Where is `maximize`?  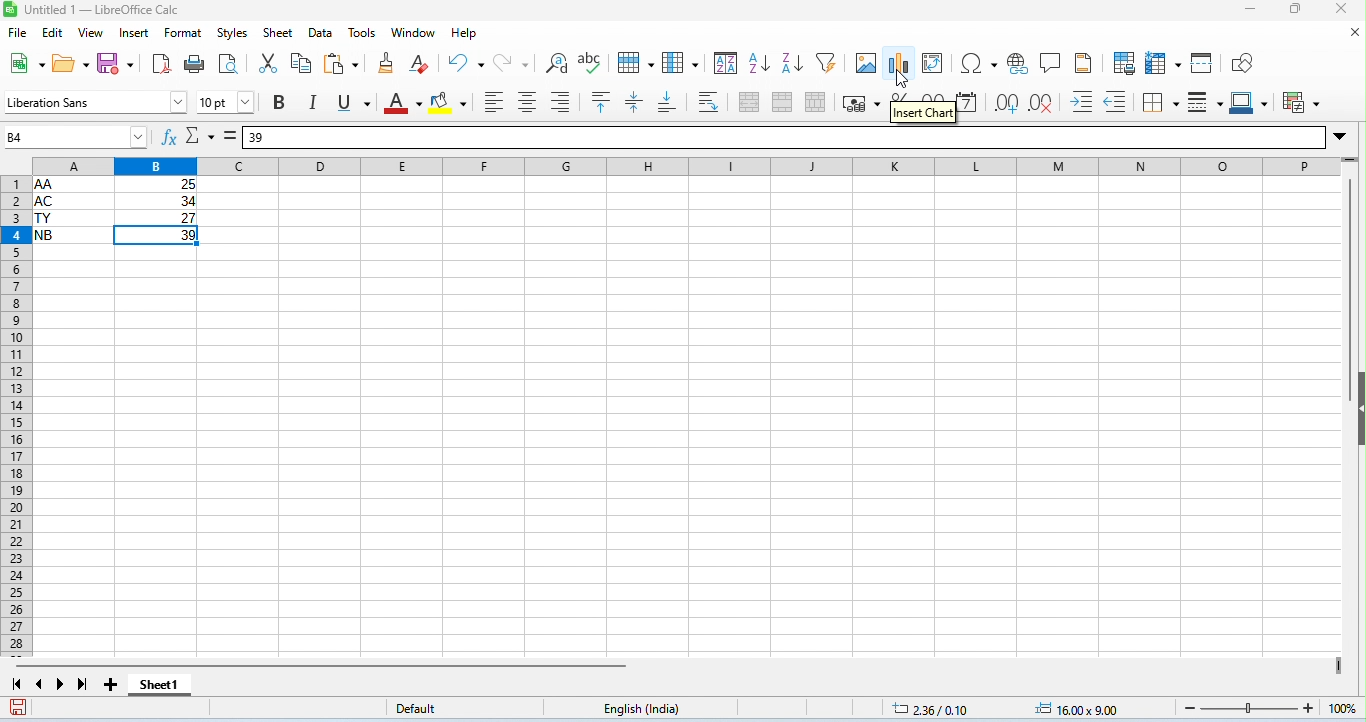
maximize is located at coordinates (1293, 10).